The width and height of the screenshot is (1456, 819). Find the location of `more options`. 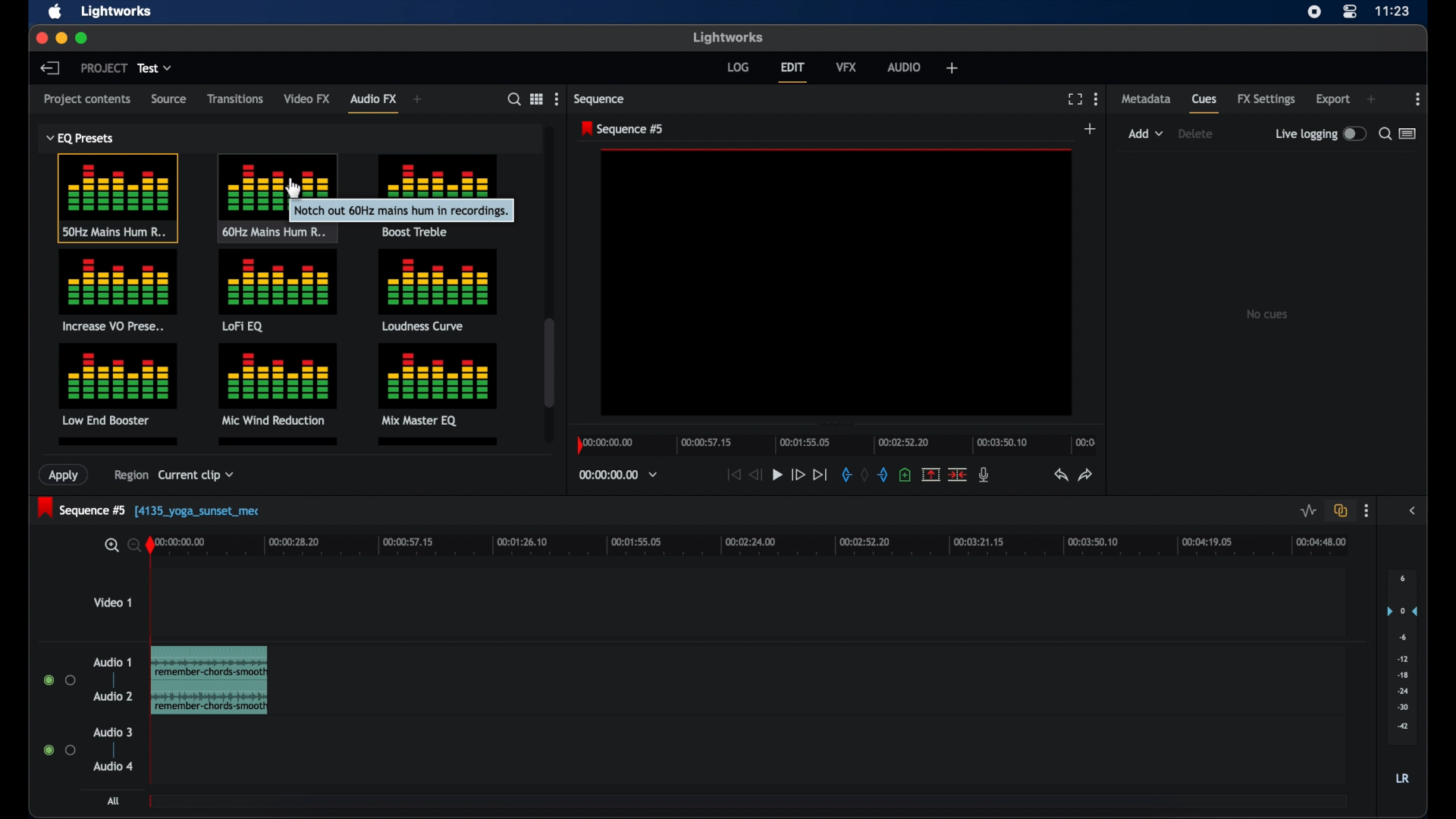

more options is located at coordinates (556, 99).